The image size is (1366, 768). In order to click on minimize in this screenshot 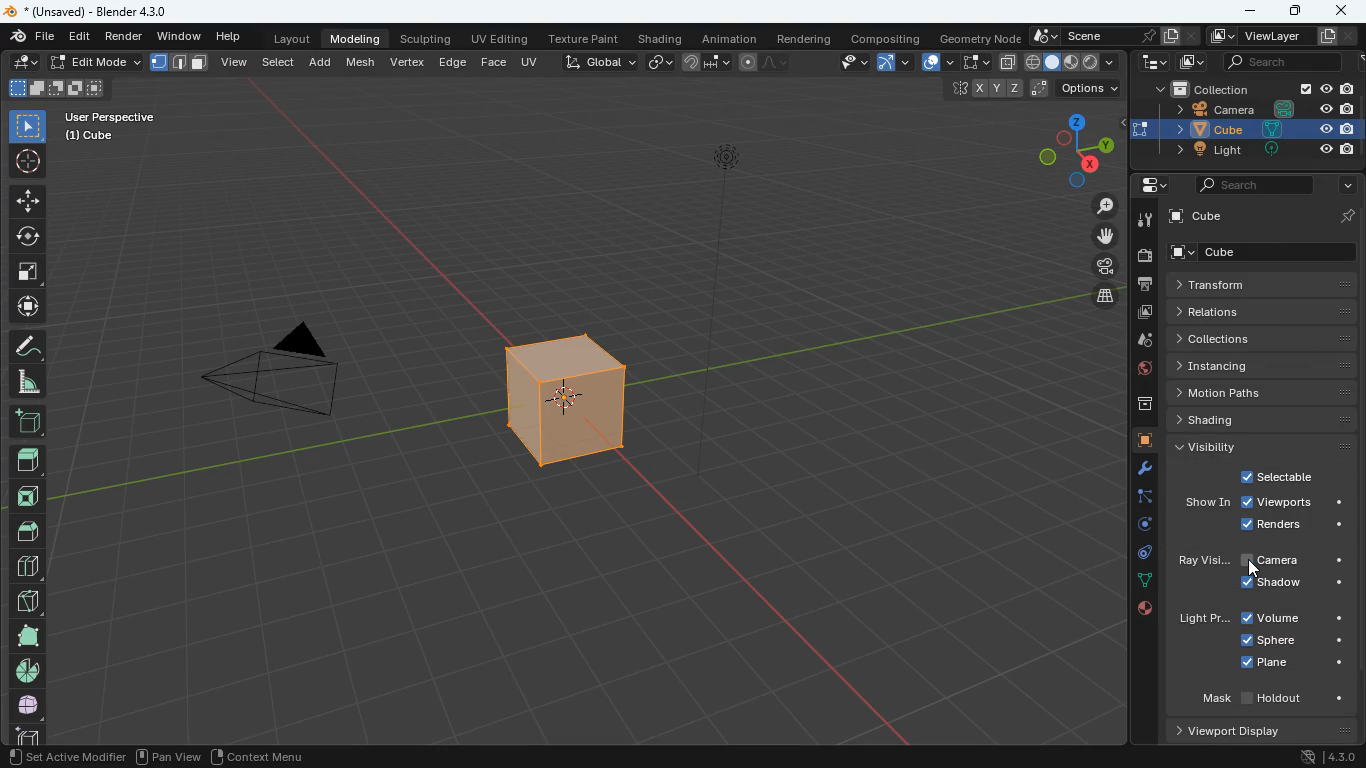, I will do `click(1254, 11)`.